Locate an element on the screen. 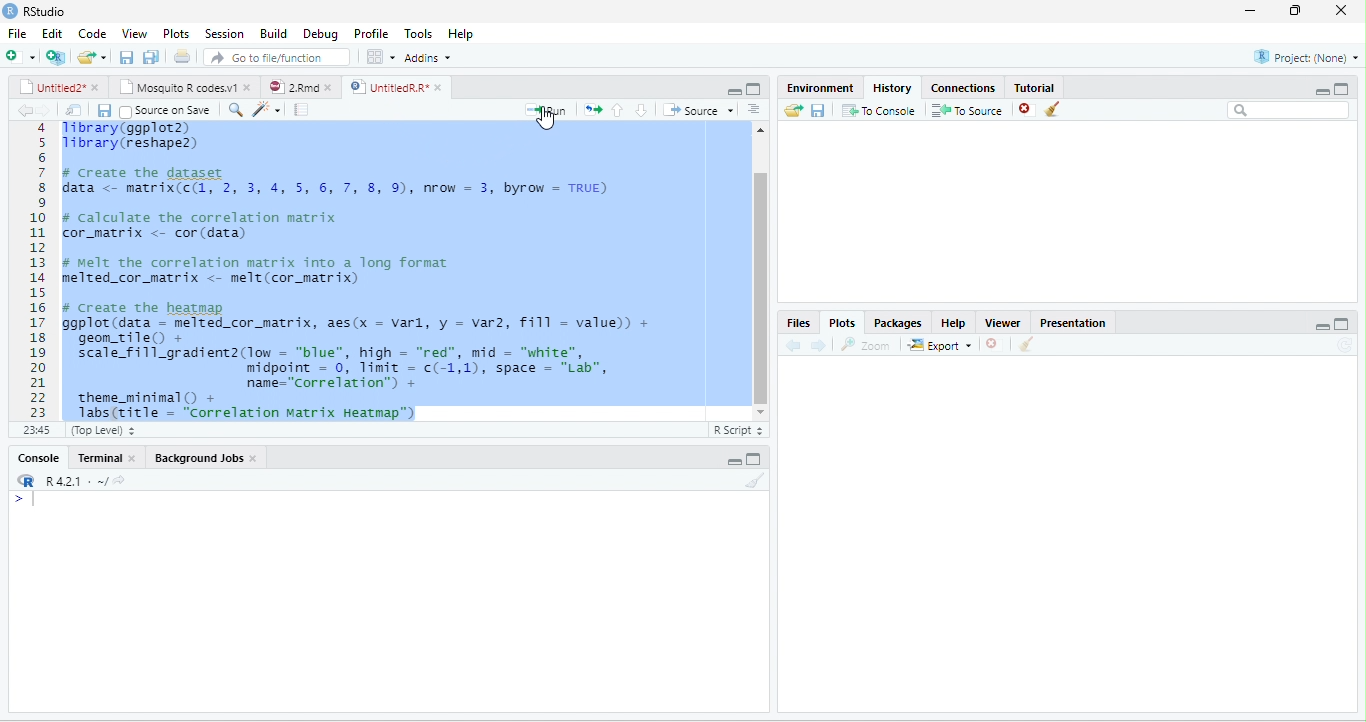  minimize is located at coordinates (728, 89).